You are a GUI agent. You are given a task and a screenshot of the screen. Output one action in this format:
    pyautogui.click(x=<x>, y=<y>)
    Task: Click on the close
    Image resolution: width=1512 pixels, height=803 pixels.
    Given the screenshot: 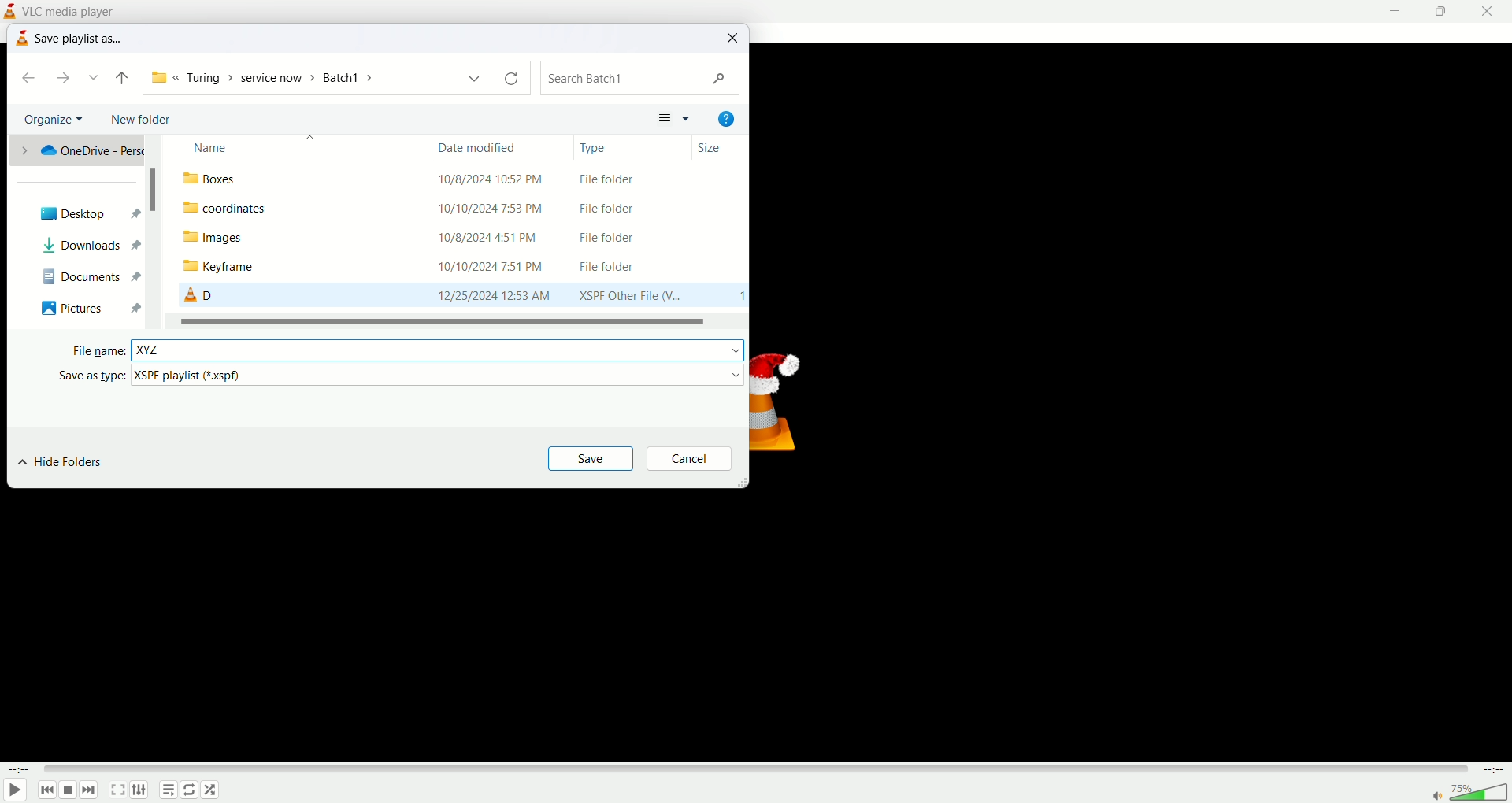 What is the action you would take?
    pyautogui.click(x=734, y=38)
    